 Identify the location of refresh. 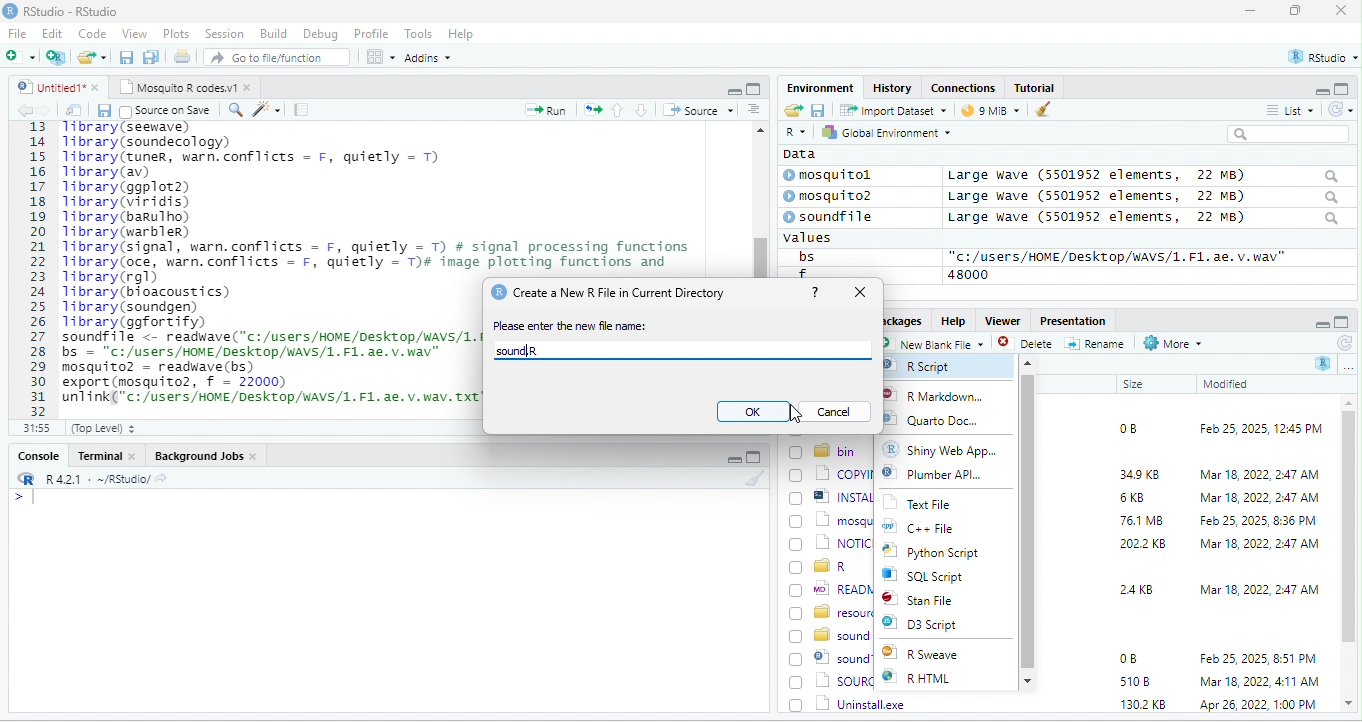
(1337, 109).